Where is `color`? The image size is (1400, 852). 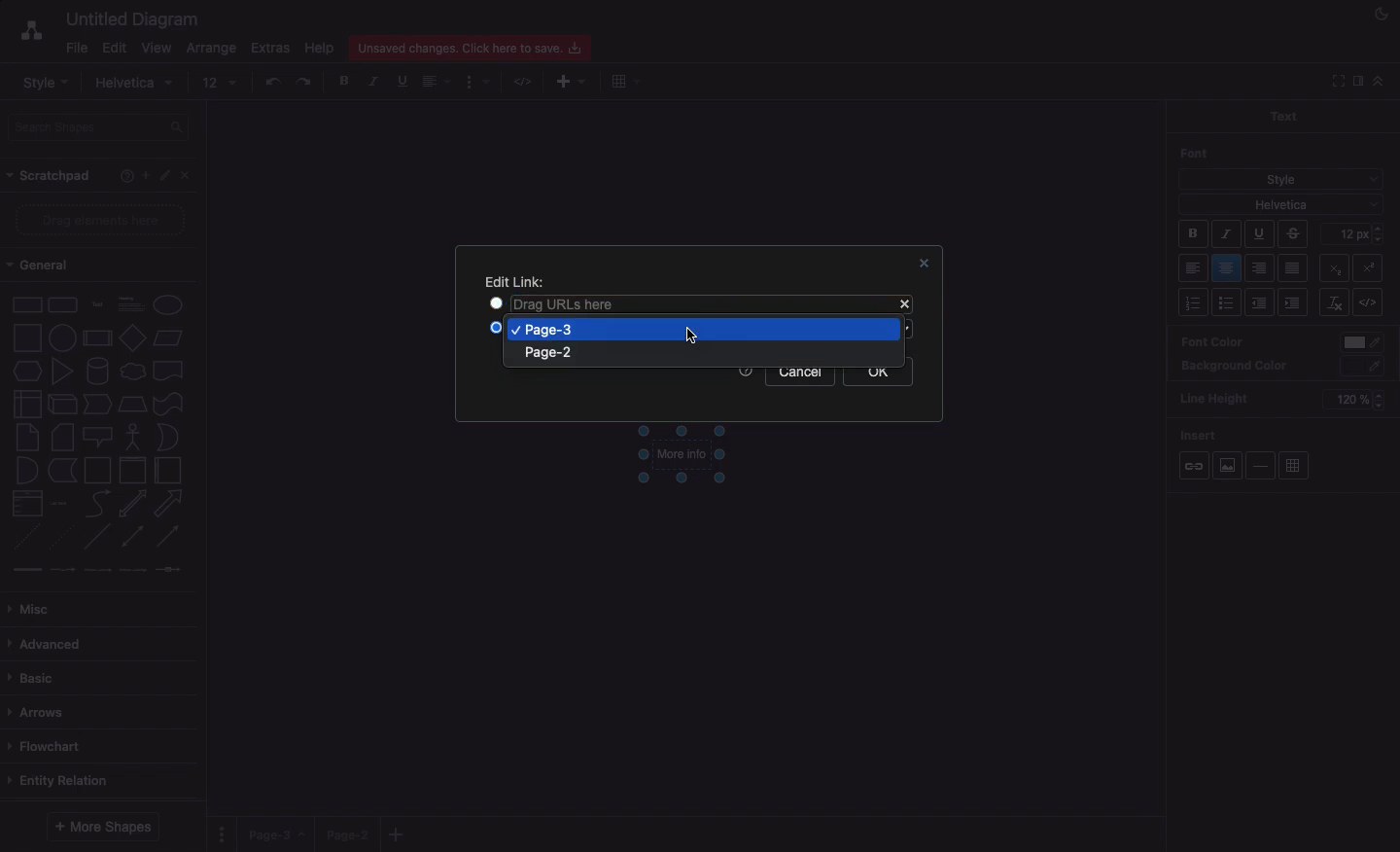
color is located at coordinates (1363, 343).